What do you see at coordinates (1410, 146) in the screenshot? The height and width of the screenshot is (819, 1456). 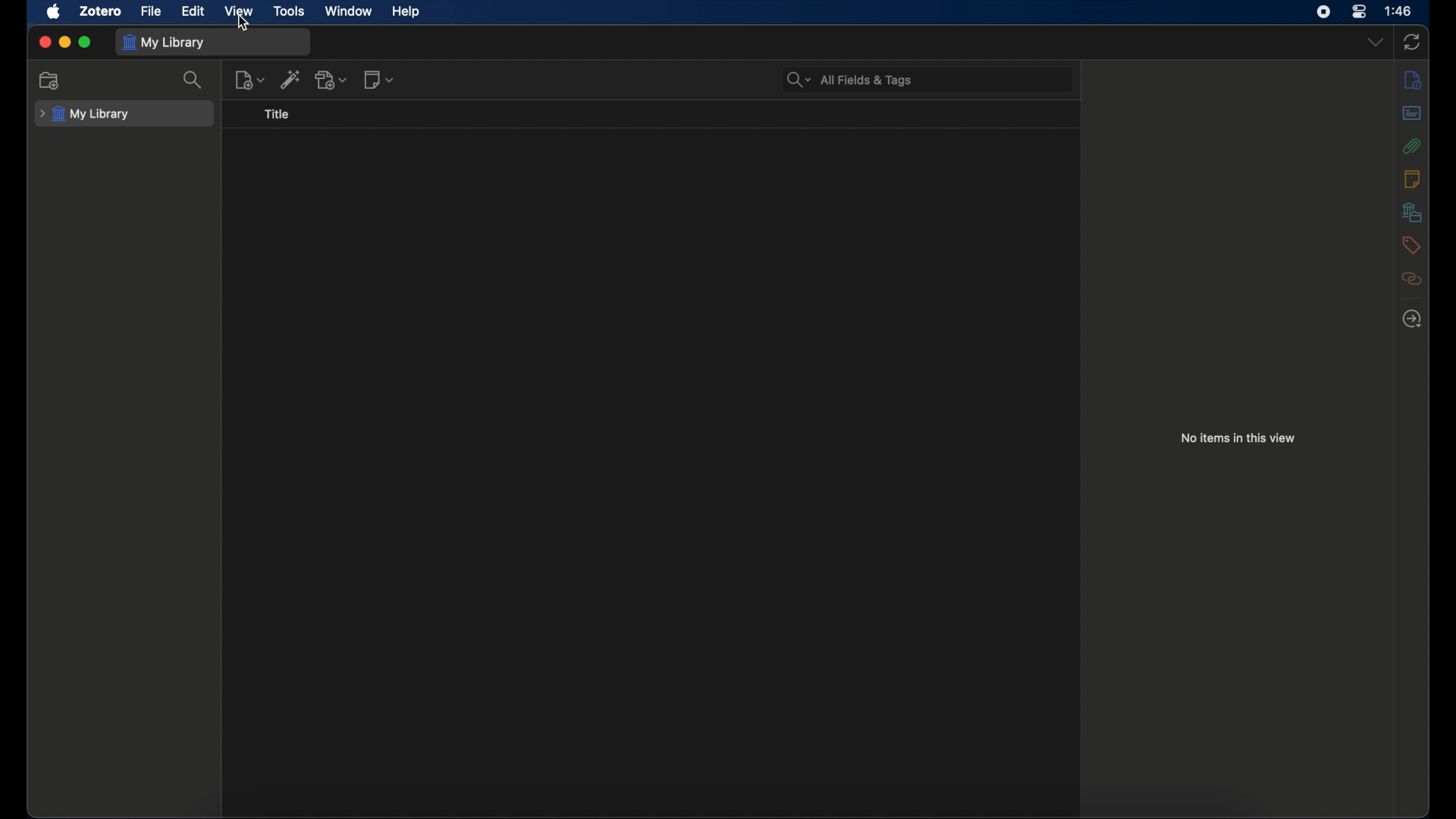 I see `attachments` at bounding box center [1410, 146].